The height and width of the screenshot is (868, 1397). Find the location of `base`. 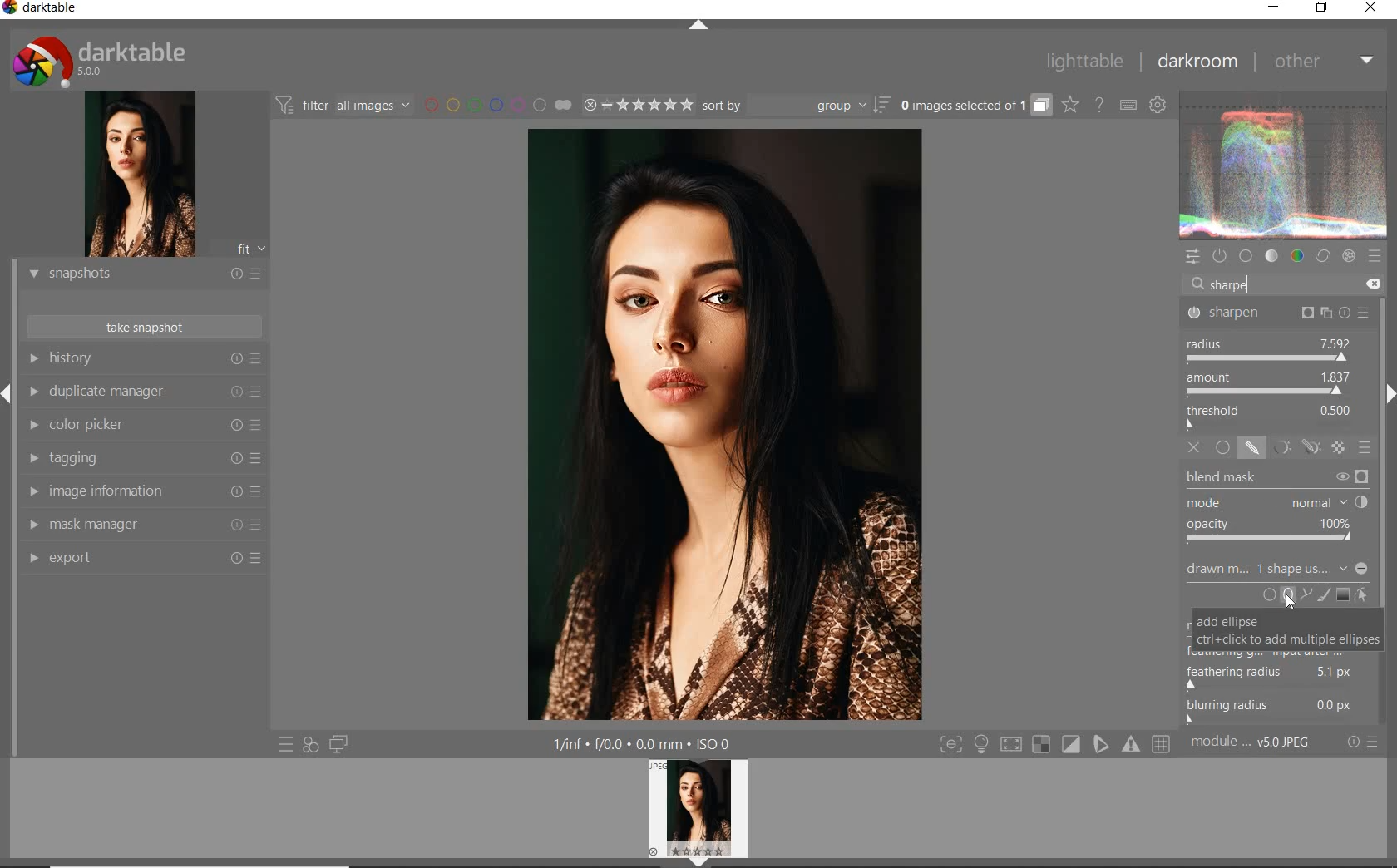

base is located at coordinates (1246, 255).